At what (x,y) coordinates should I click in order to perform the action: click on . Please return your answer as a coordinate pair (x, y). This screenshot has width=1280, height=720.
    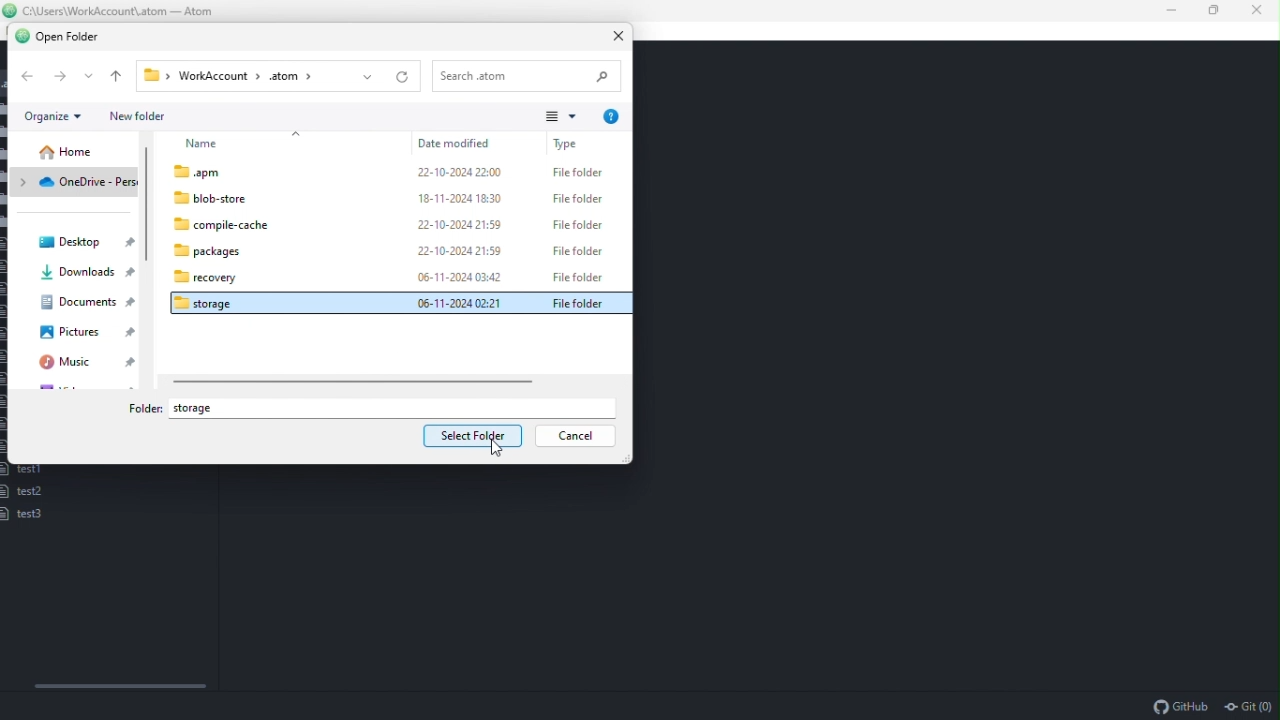
    Looking at the image, I should click on (61, 74).